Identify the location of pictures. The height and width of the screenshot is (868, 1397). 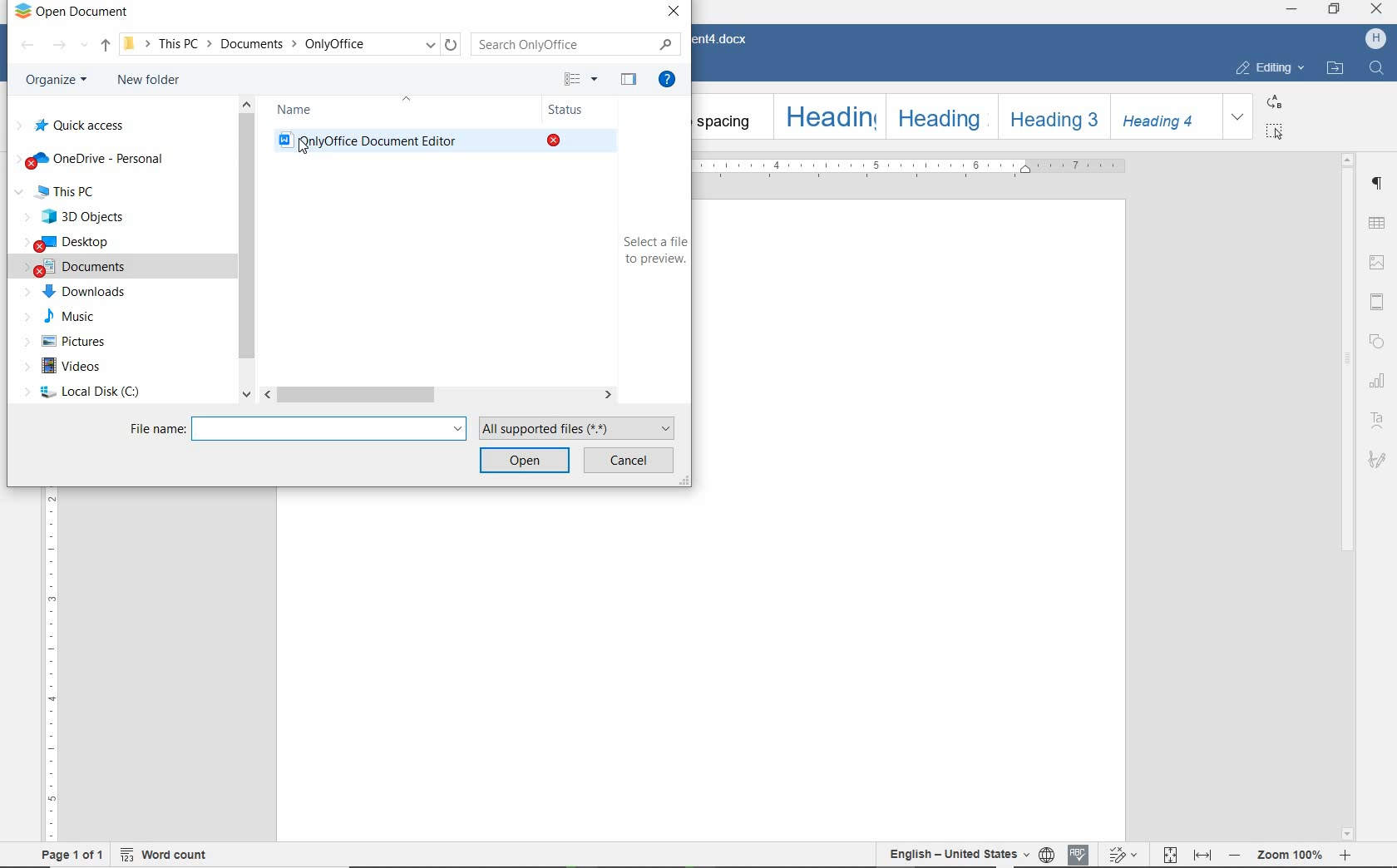
(72, 343).